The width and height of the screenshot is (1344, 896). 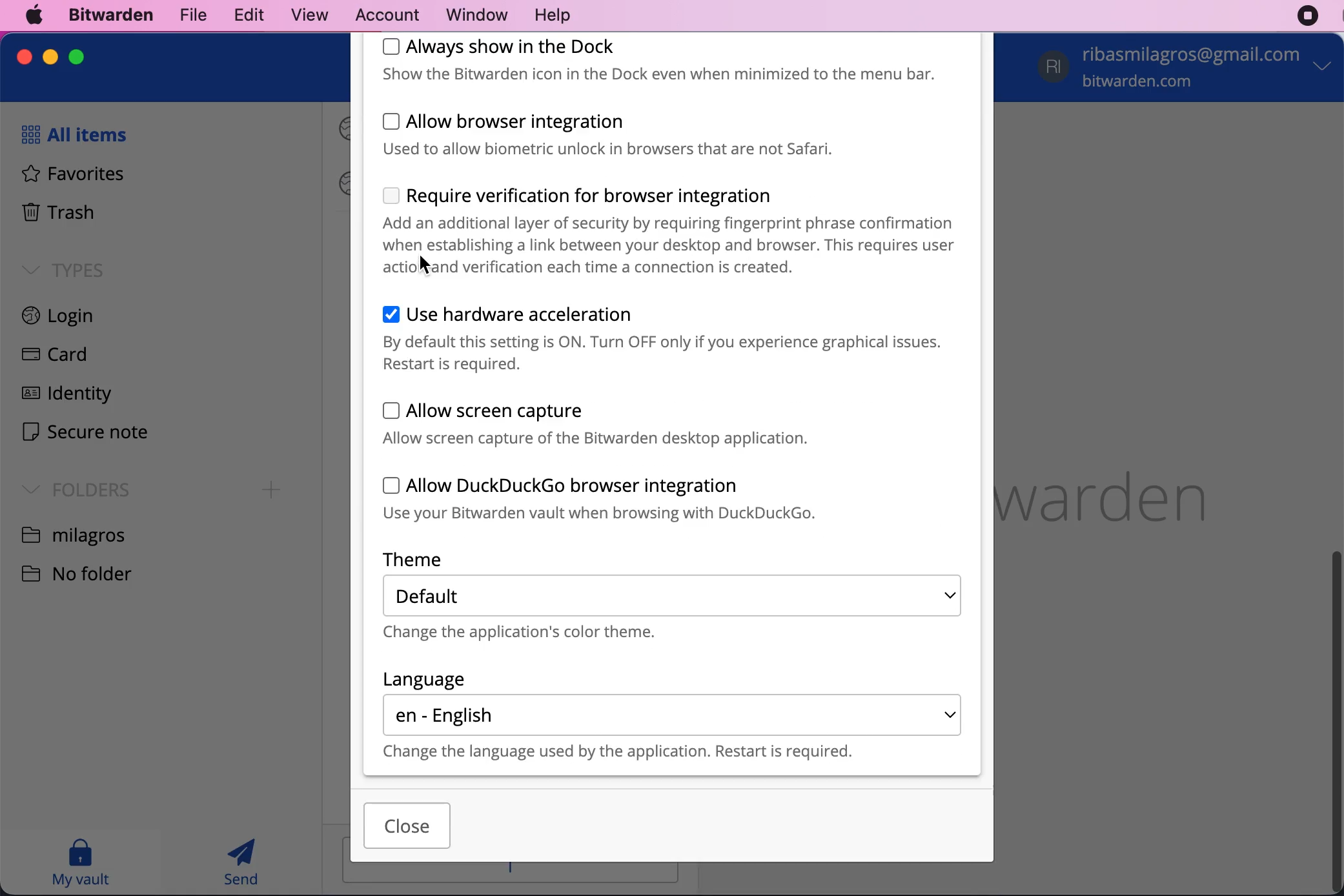 What do you see at coordinates (76, 534) in the screenshot?
I see `folder name` at bounding box center [76, 534].